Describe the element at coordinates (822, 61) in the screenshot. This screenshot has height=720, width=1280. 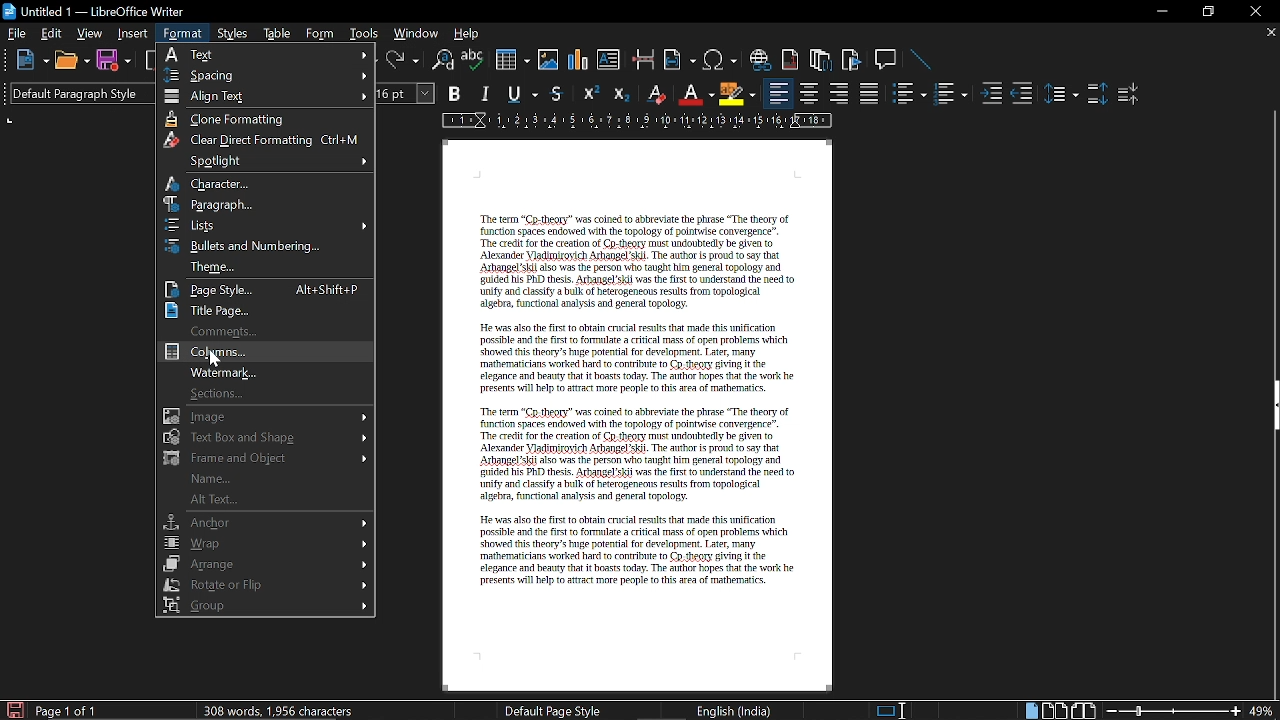
I see `Insert footnote` at that location.